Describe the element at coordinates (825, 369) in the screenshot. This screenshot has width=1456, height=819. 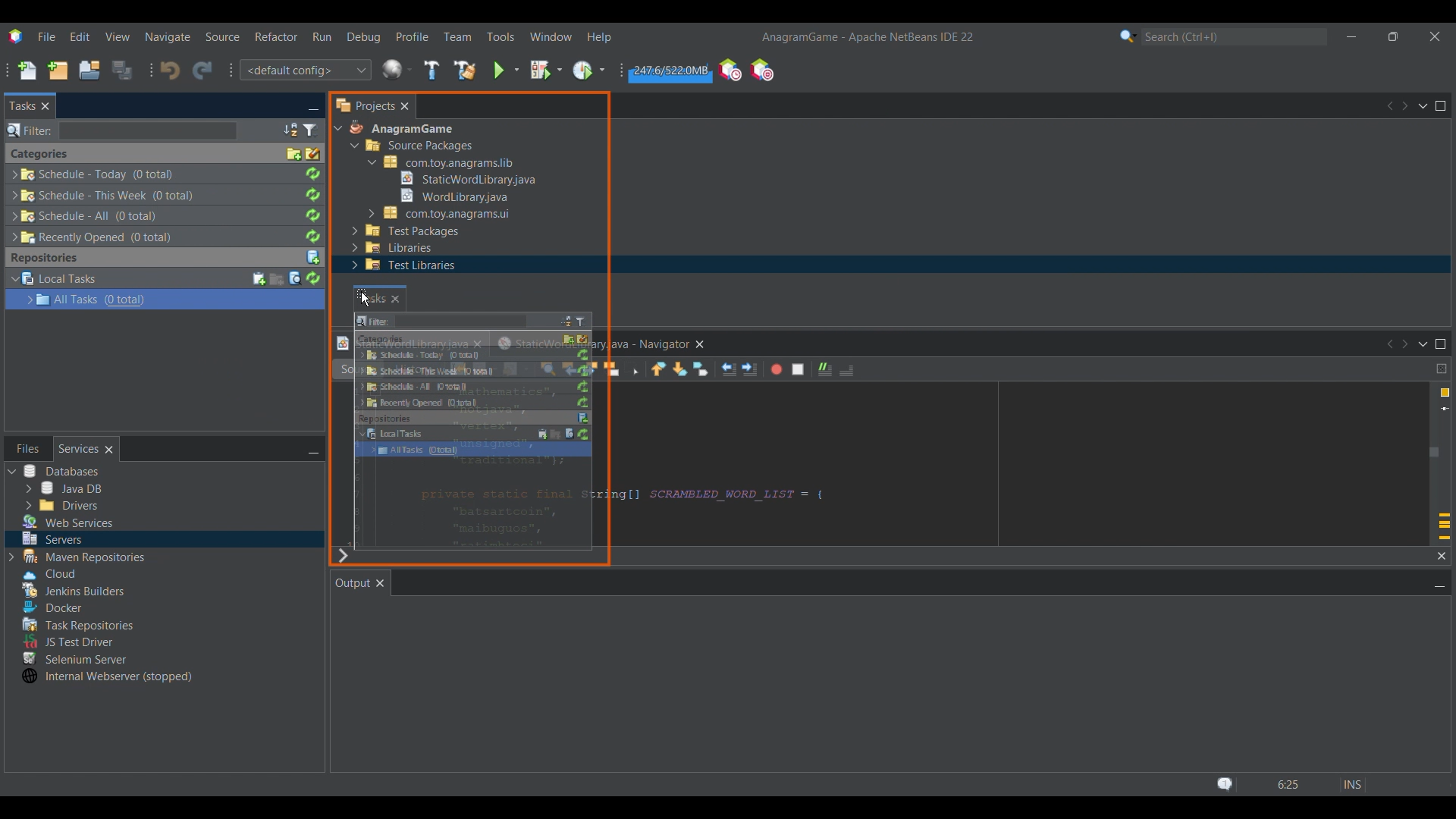
I see `Comment` at that location.